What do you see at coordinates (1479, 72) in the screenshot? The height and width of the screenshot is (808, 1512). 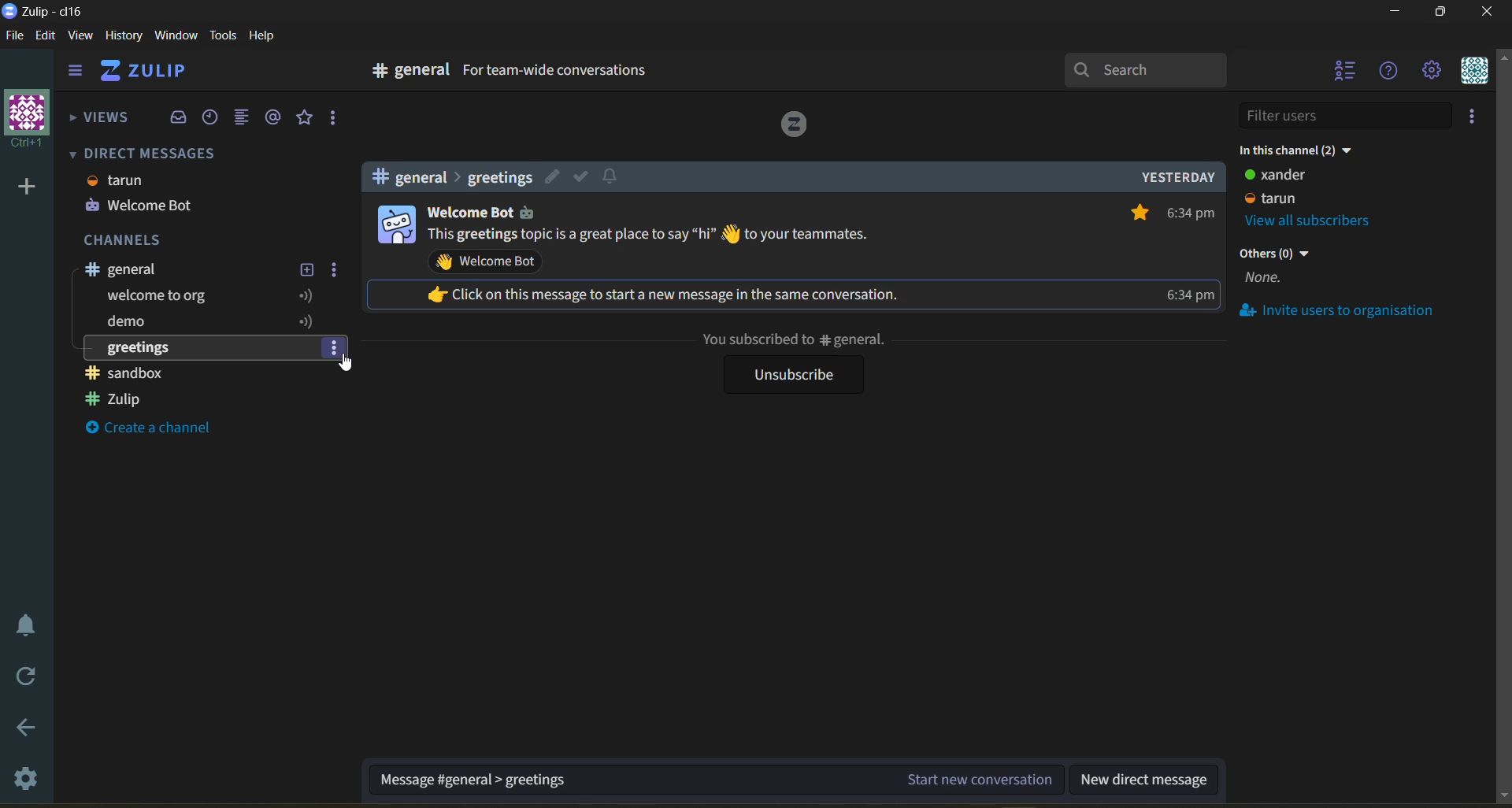 I see `personal menu` at bounding box center [1479, 72].